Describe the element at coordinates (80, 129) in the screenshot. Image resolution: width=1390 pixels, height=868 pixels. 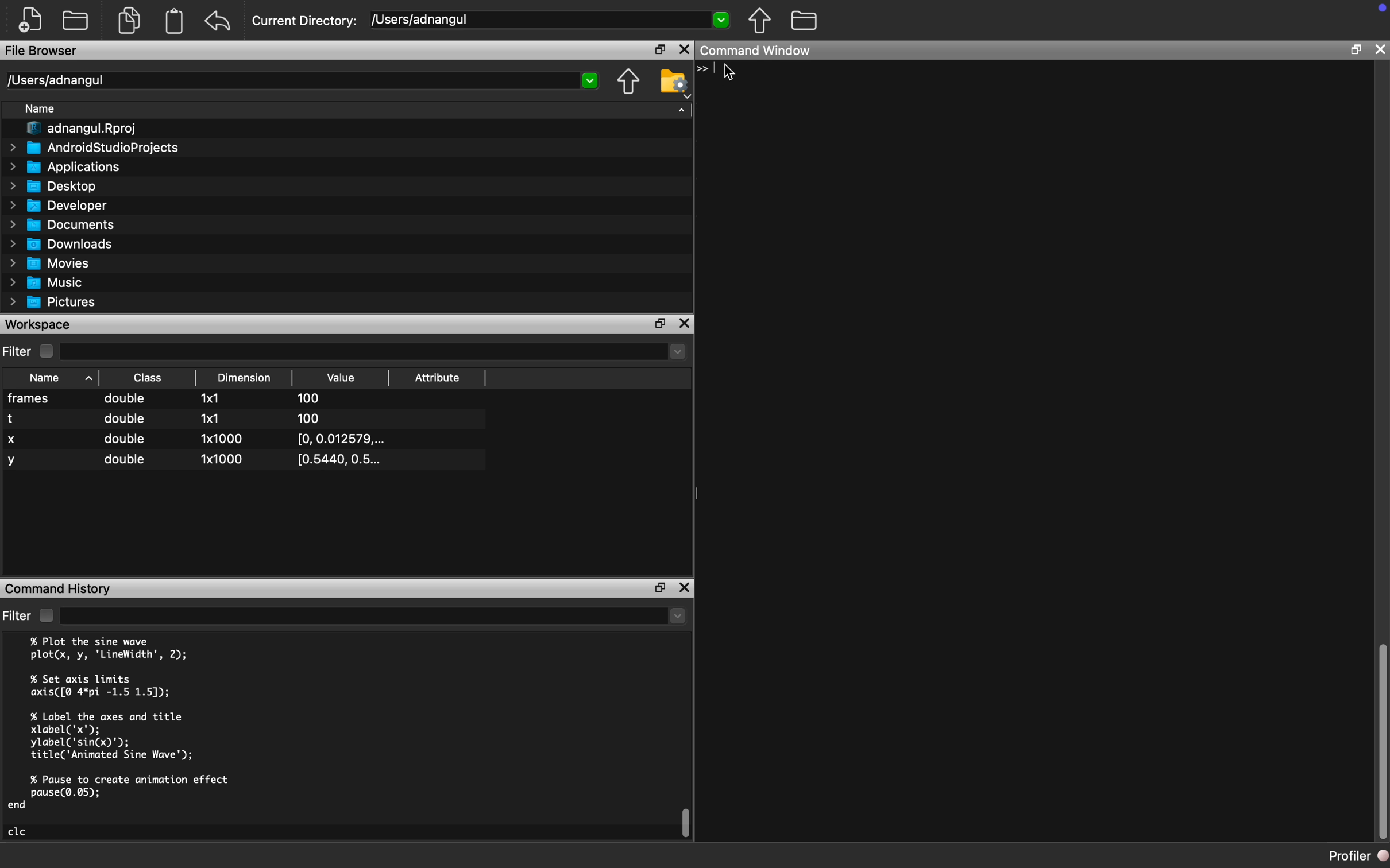
I see `adnangul.Rproj` at that location.